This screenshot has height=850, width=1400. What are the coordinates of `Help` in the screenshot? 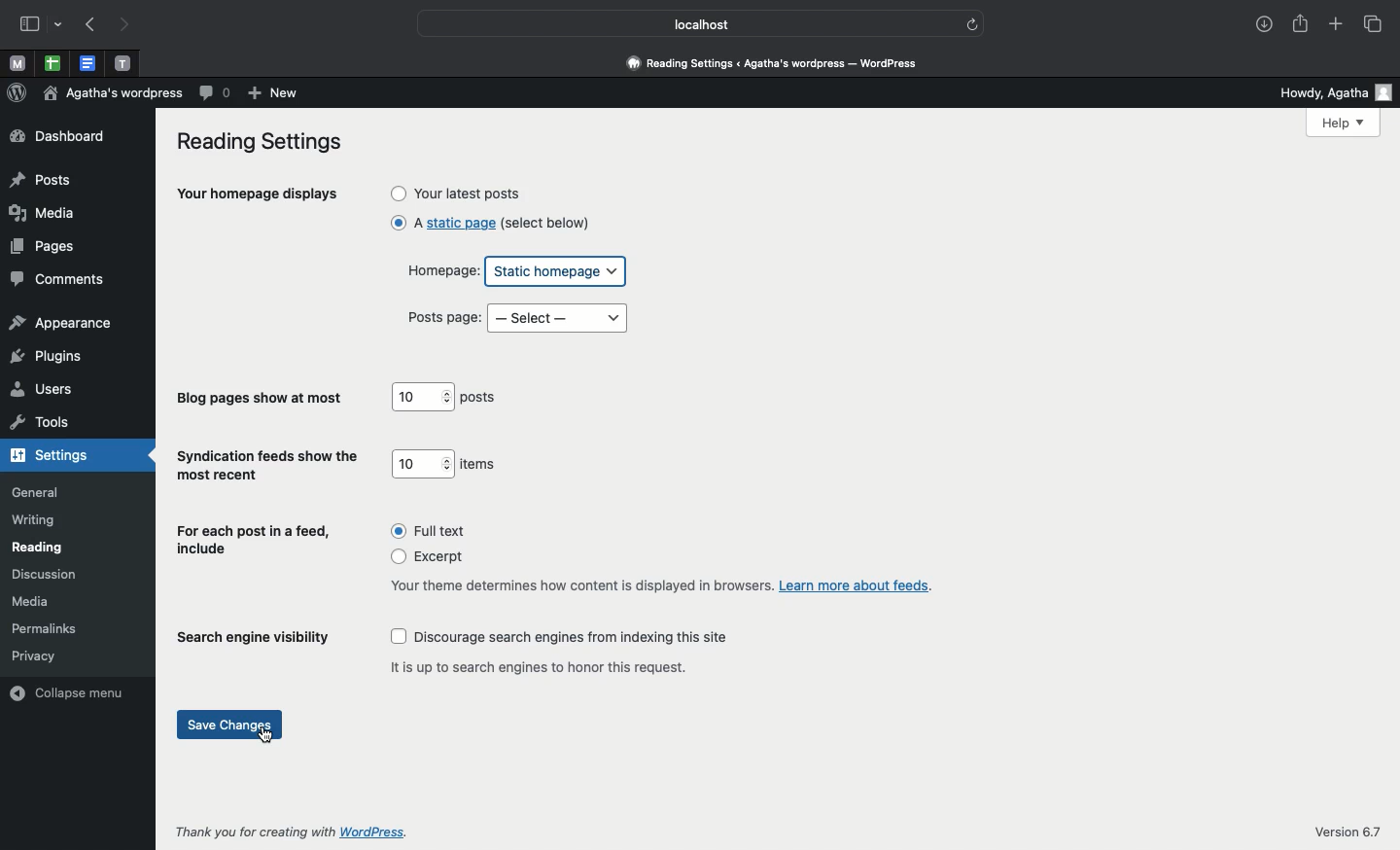 It's located at (1343, 124).